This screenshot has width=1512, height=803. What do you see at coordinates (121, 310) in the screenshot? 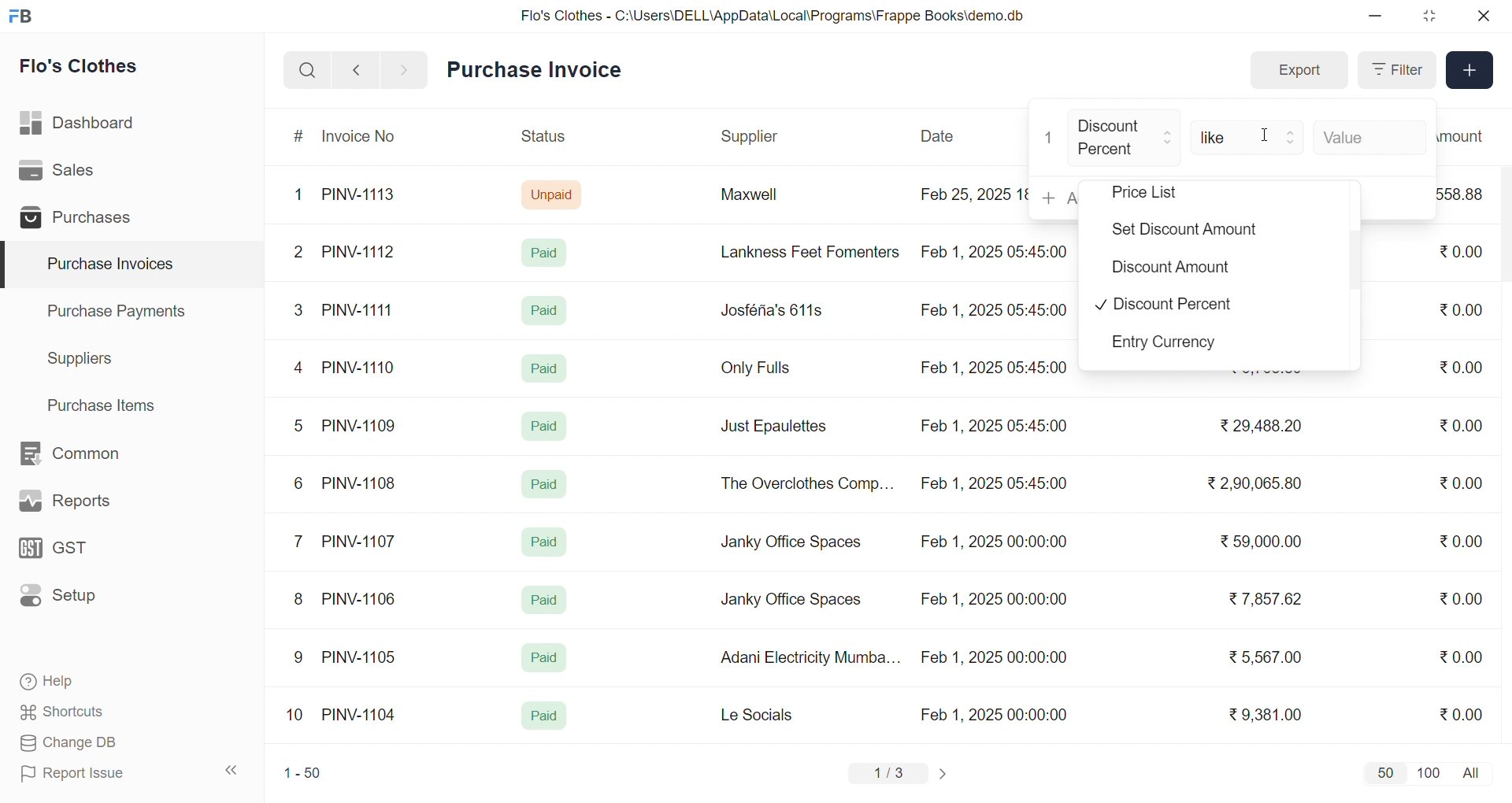
I see `Purchase Payments` at bounding box center [121, 310].